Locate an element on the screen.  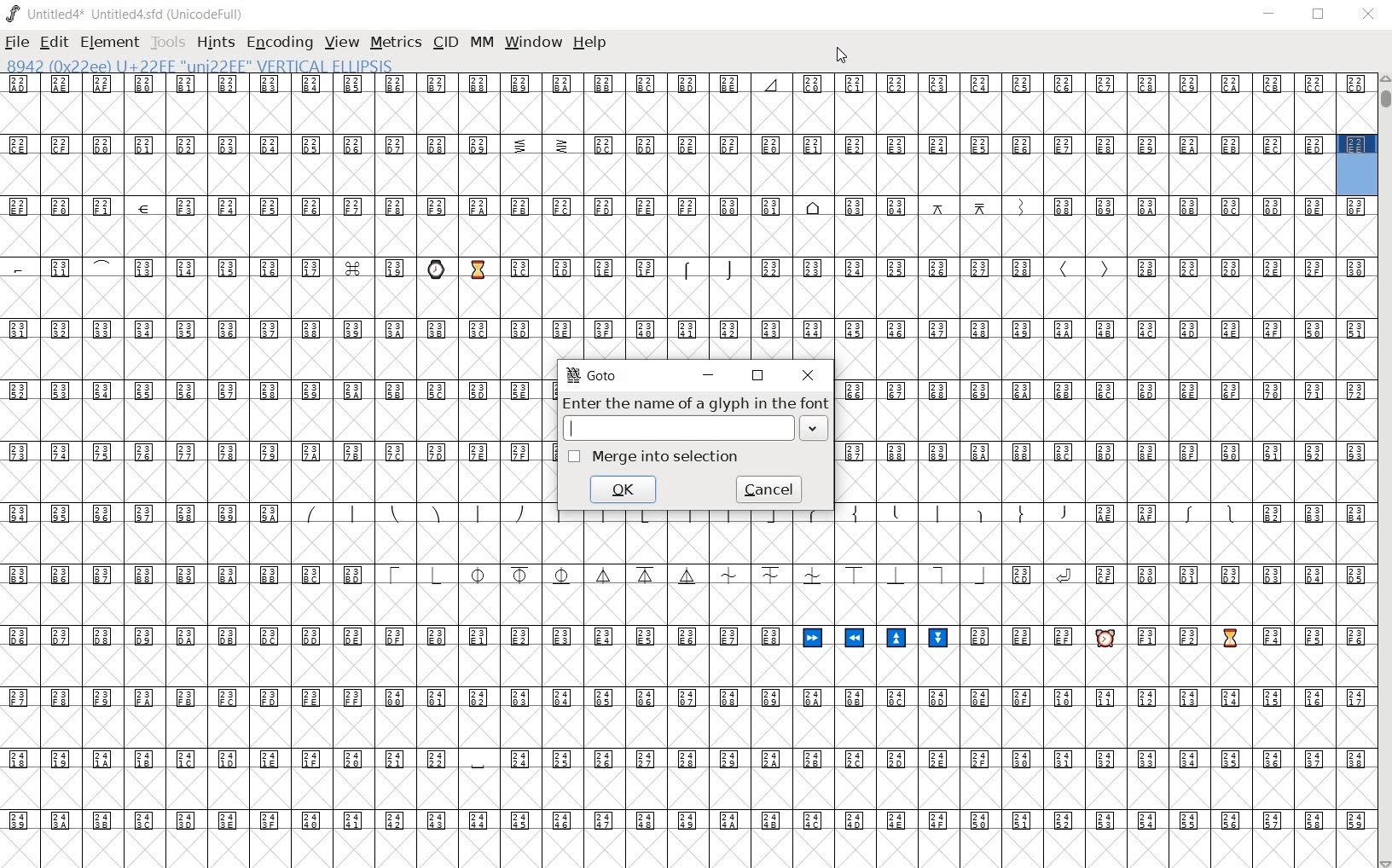
CLOSE is located at coordinates (1368, 14).